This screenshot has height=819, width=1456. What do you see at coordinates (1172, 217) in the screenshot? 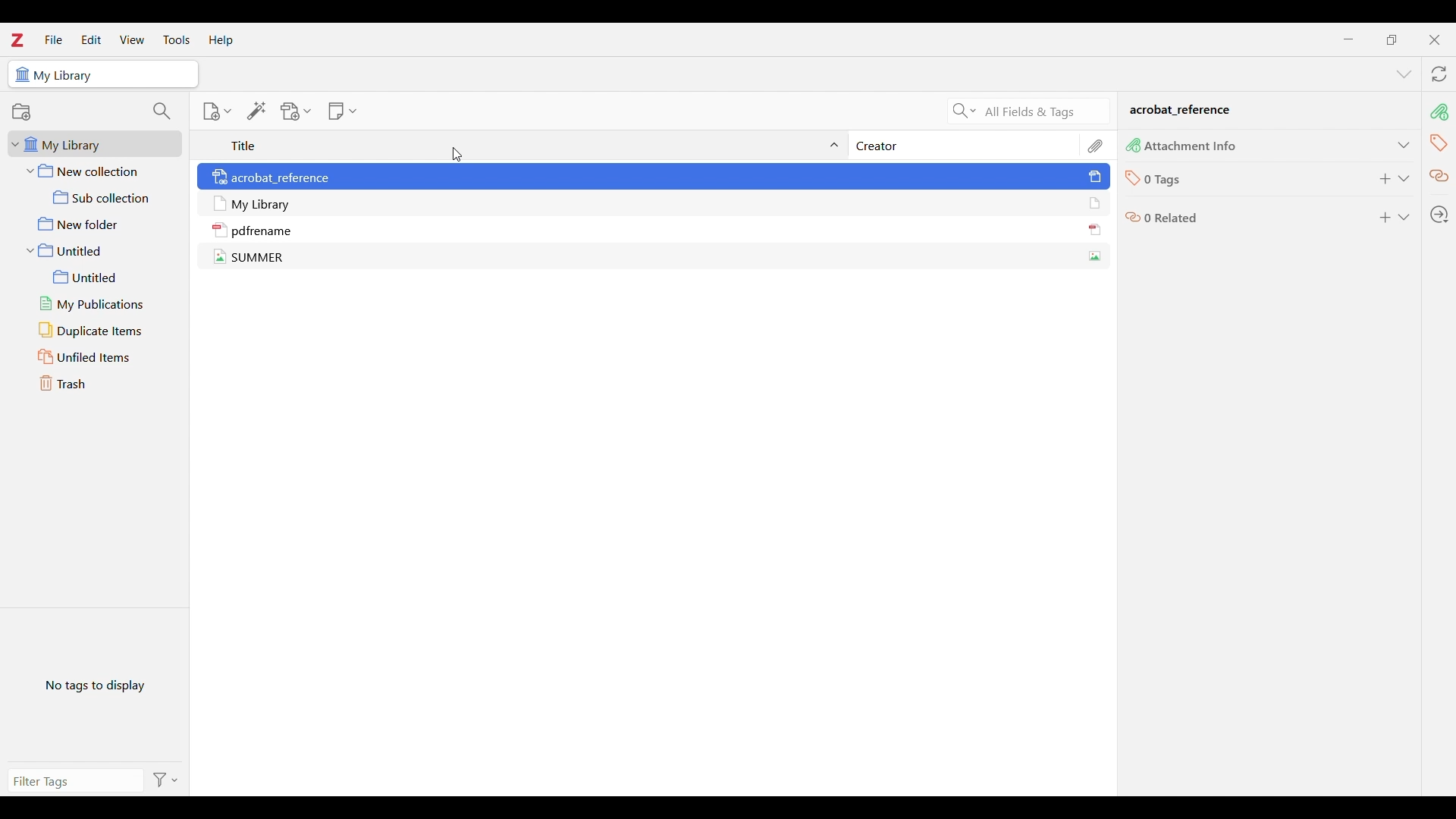
I see `0 Related` at bounding box center [1172, 217].